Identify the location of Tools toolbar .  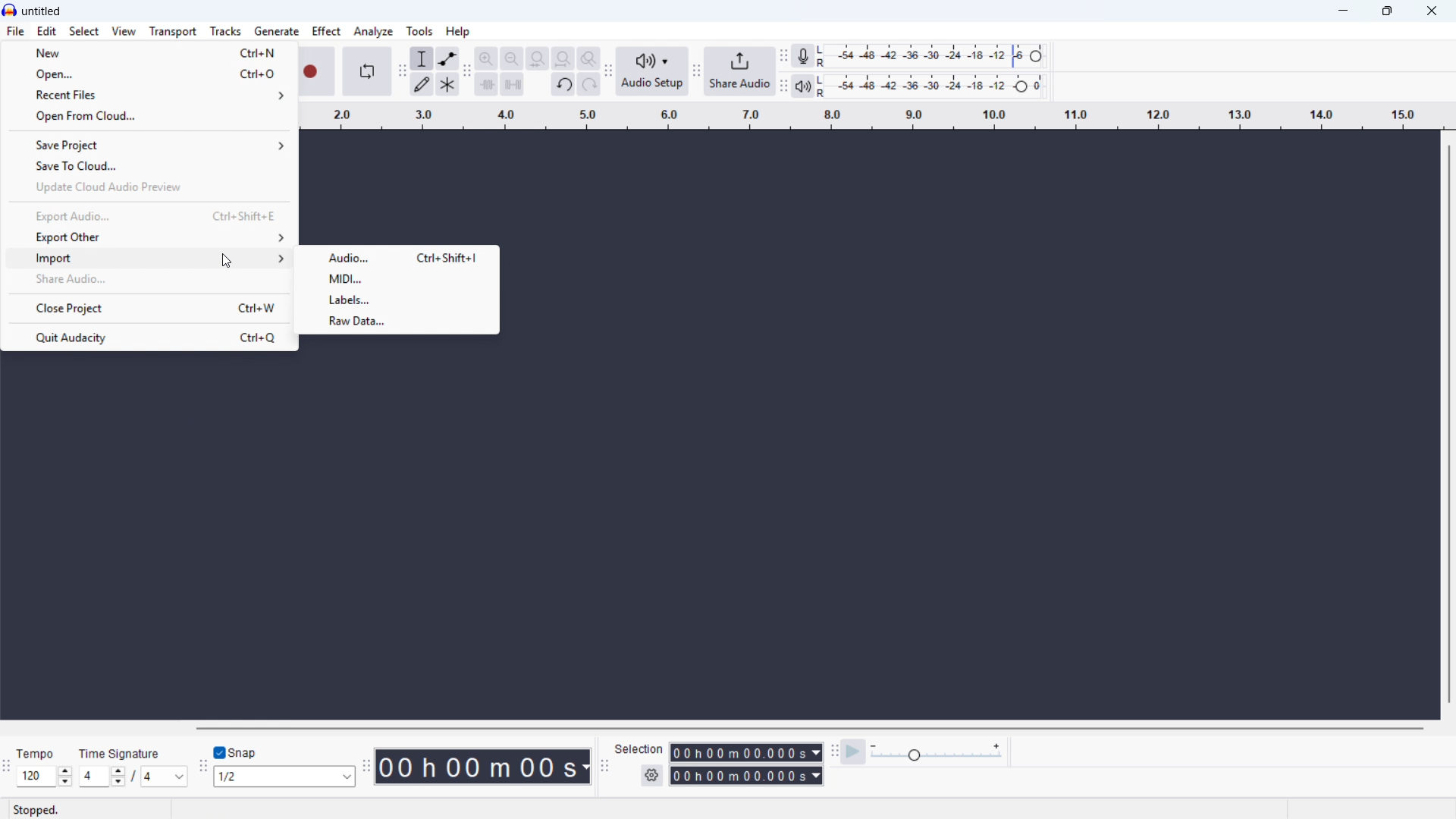
(400, 71).